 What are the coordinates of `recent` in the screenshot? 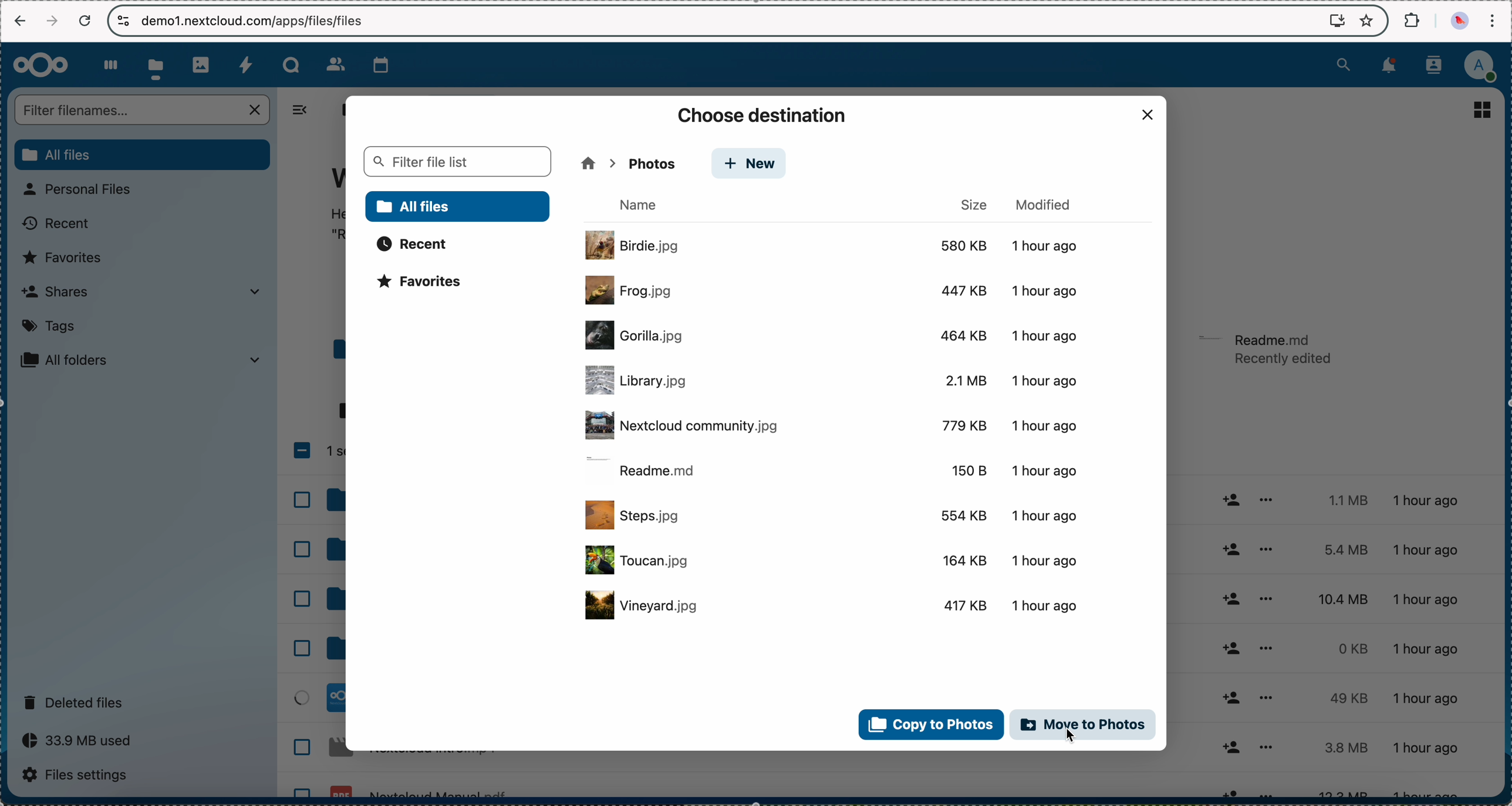 It's located at (414, 243).